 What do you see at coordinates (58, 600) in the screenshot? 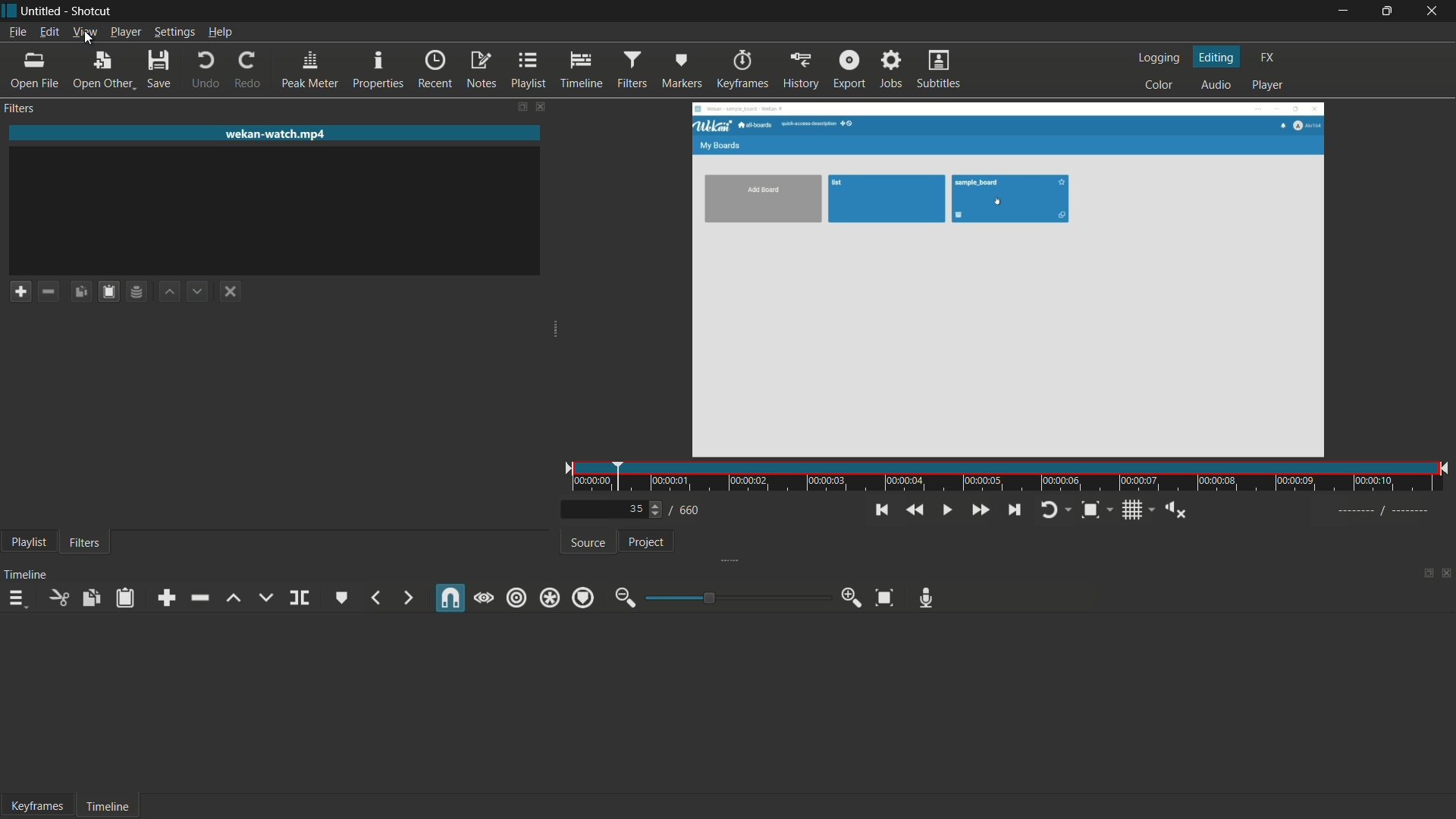
I see `cut` at bounding box center [58, 600].